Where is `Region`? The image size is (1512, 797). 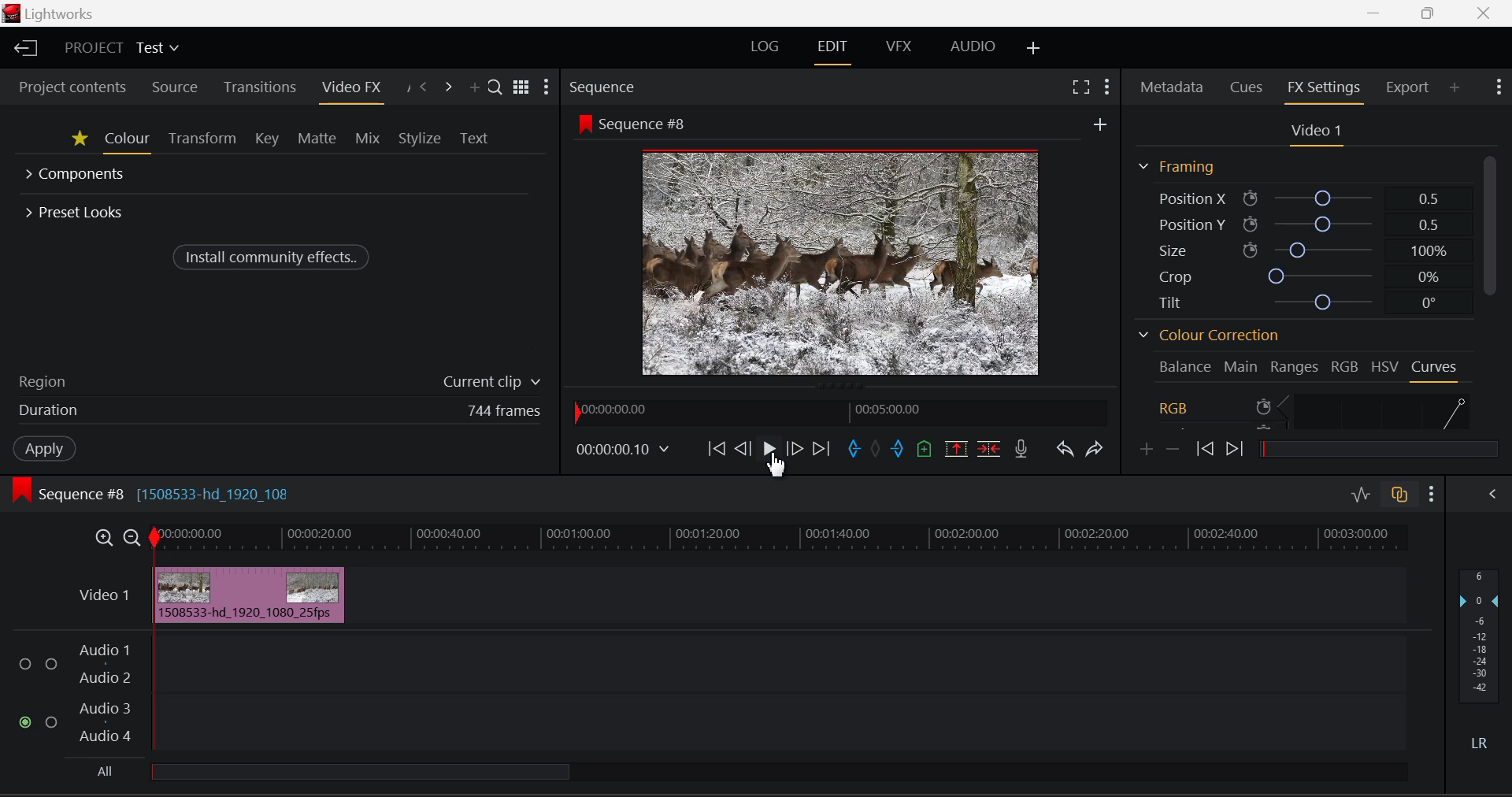 Region is located at coordinates (278, 380).